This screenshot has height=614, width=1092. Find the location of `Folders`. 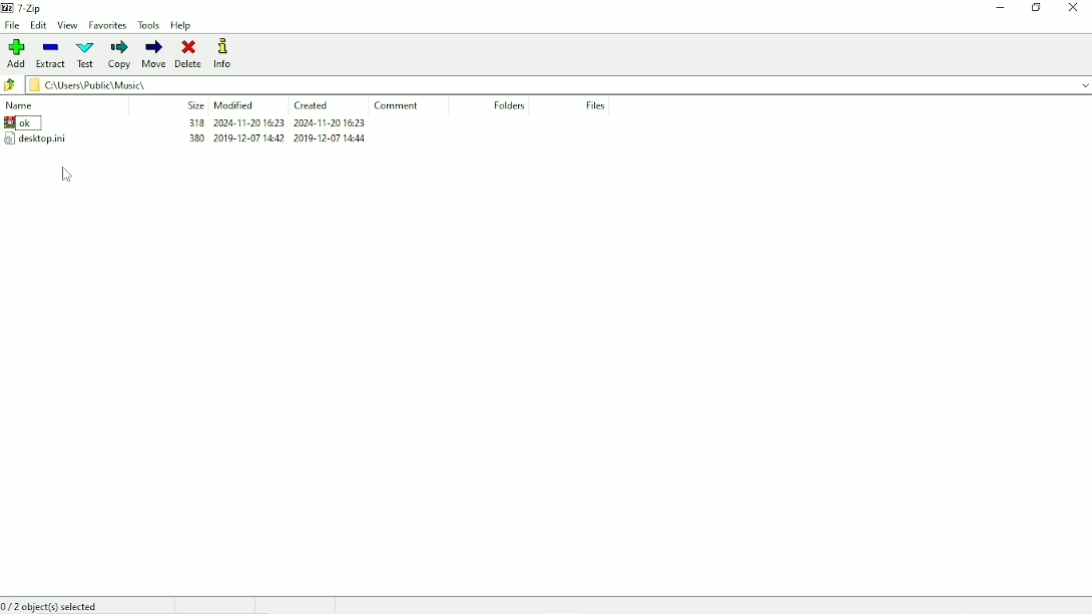

Folders is located at coordinates (509, 106).